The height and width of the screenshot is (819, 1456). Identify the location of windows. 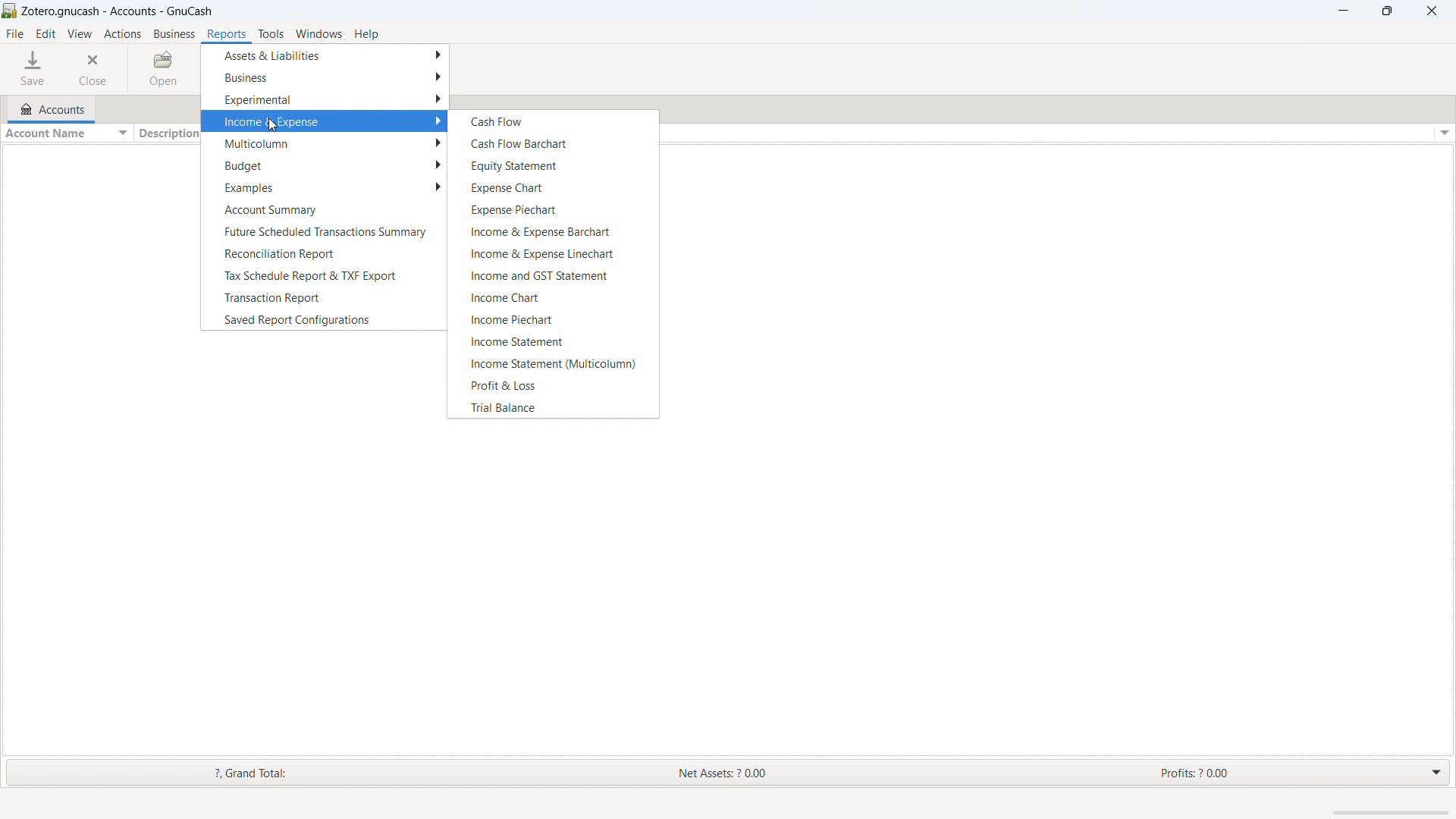
(319, 33).